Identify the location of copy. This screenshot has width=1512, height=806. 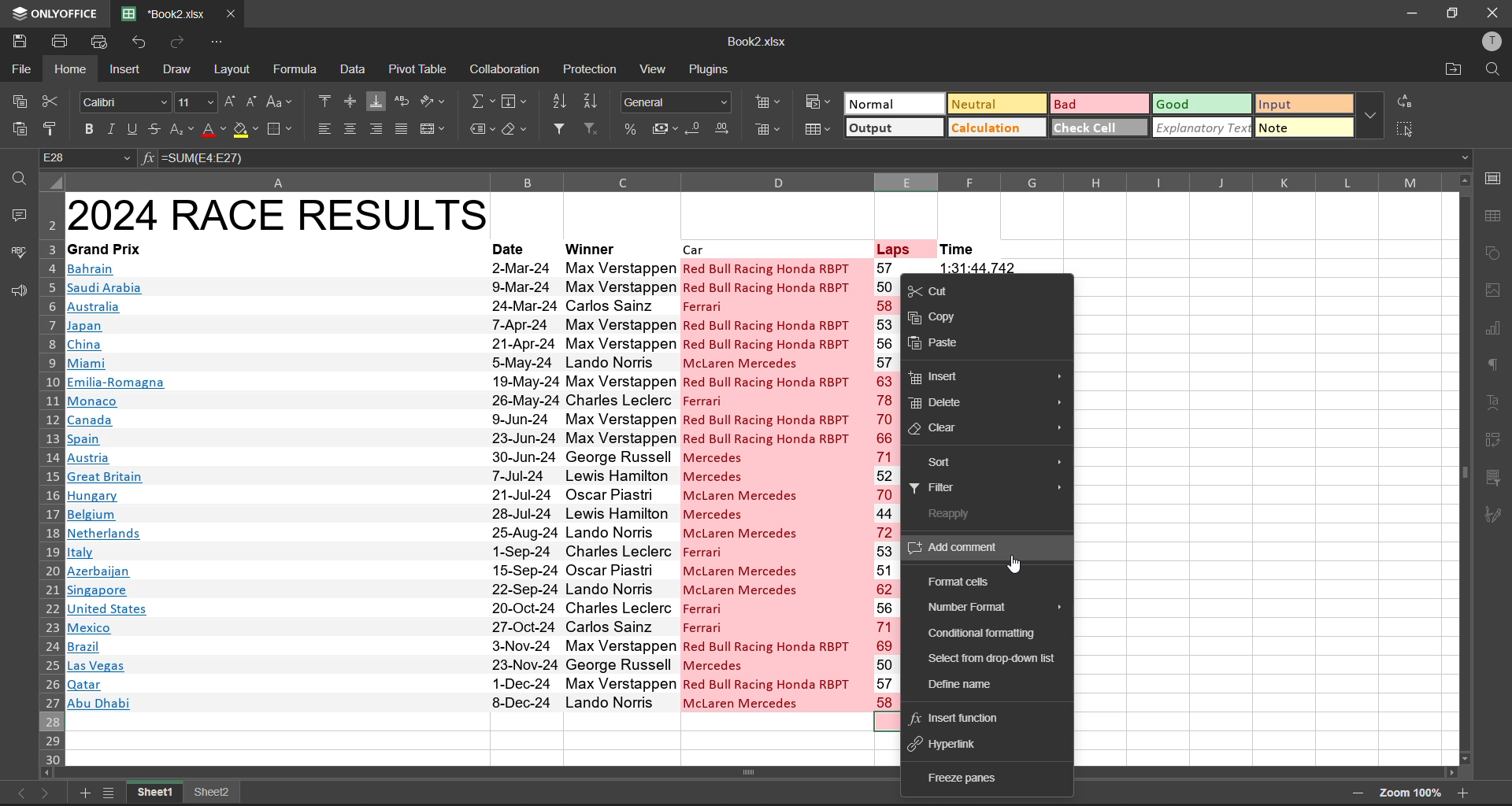
(17, 98).